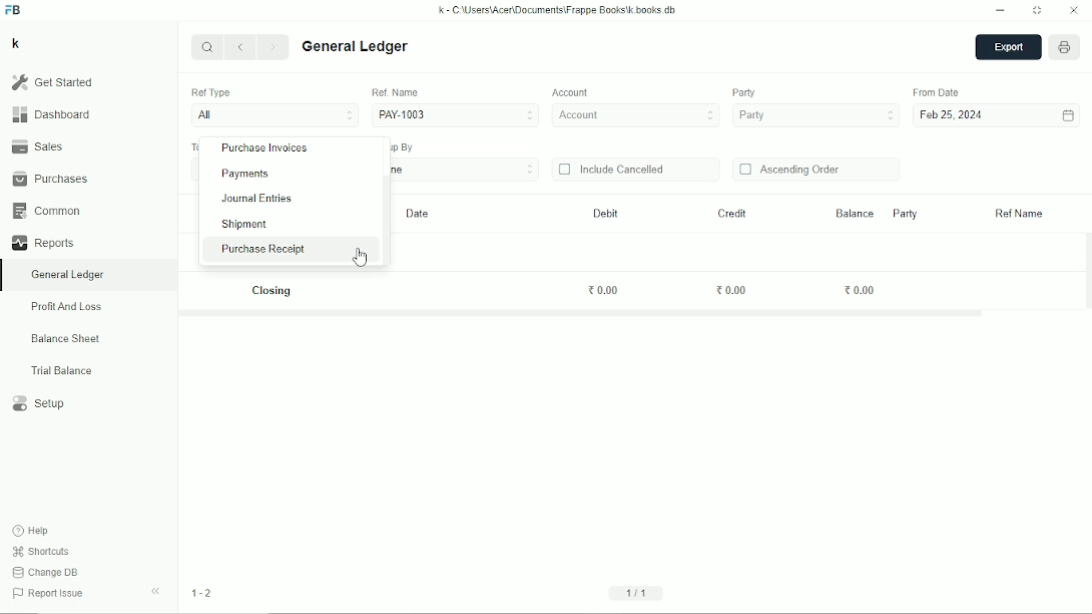 This screenshot has height=614, width=1092. Describe the element at coordinates (46, 211) in the screenshot. I see `Common` at that location.